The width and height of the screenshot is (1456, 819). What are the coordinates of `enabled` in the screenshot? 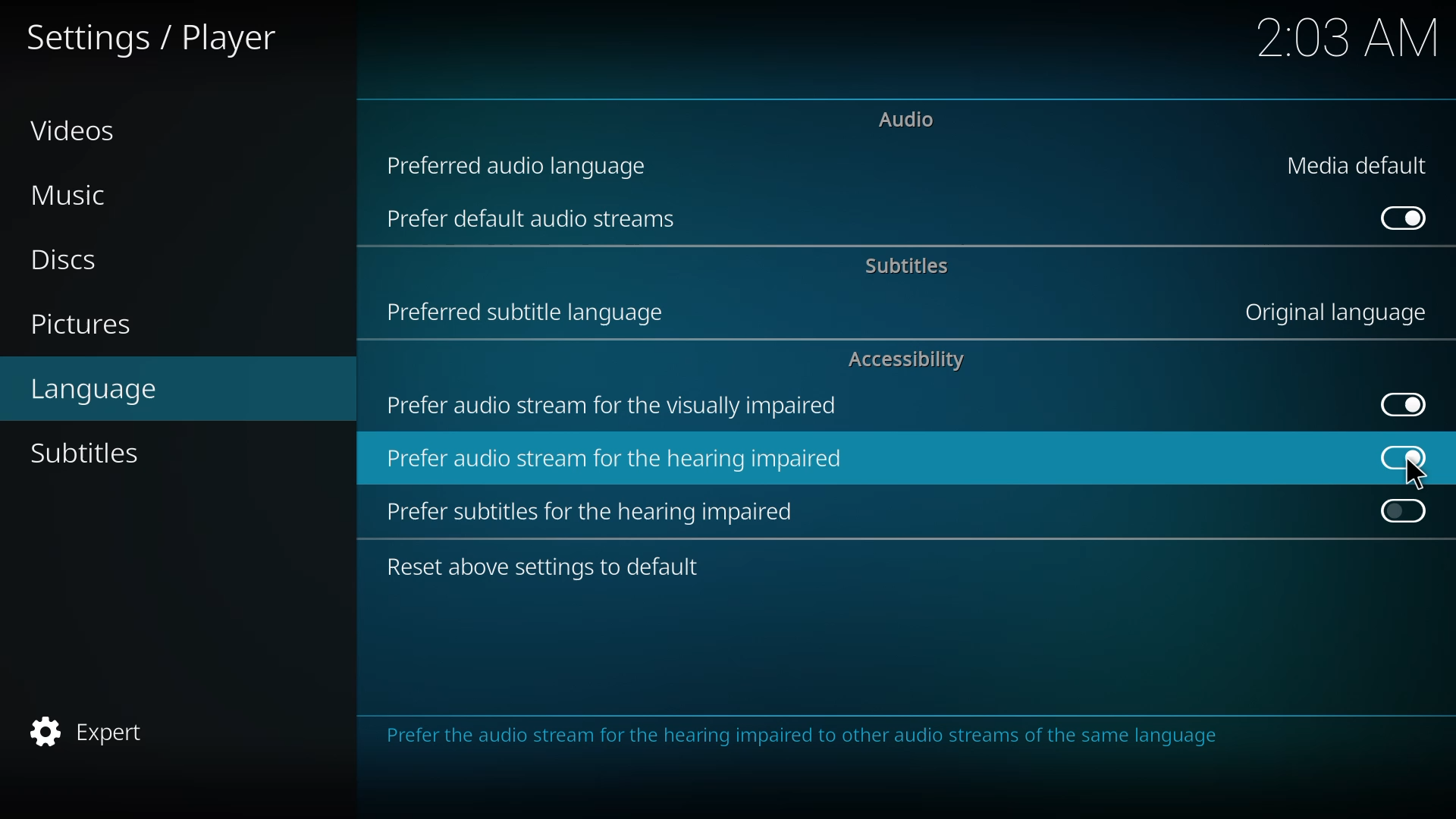 It's located at (1399, 457).